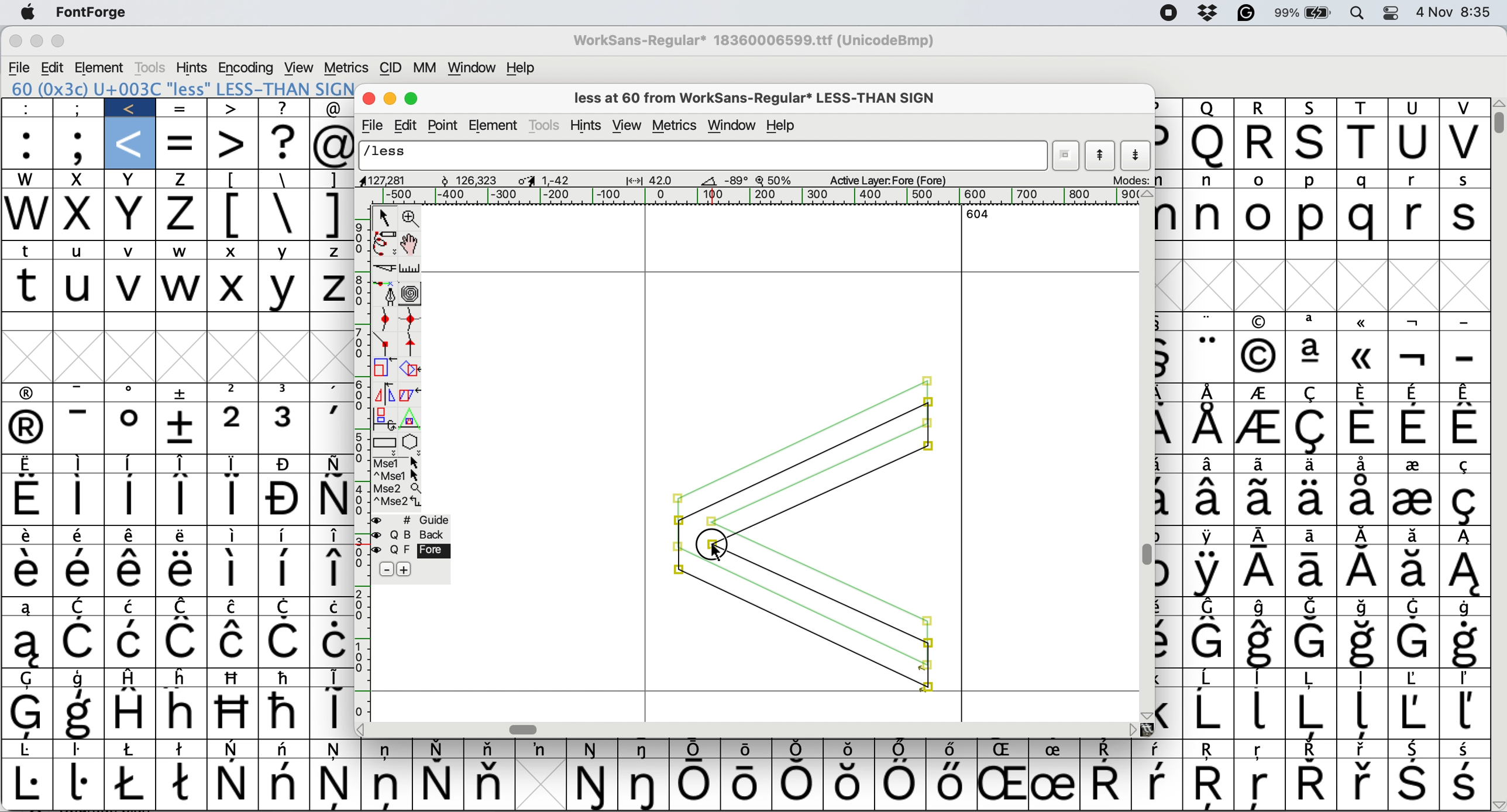 This screenshot has height=812, width=1507. What do you see at coordinates (1414, 180) in the screenshot?
I see `r` at bounding box center [1414, 180].